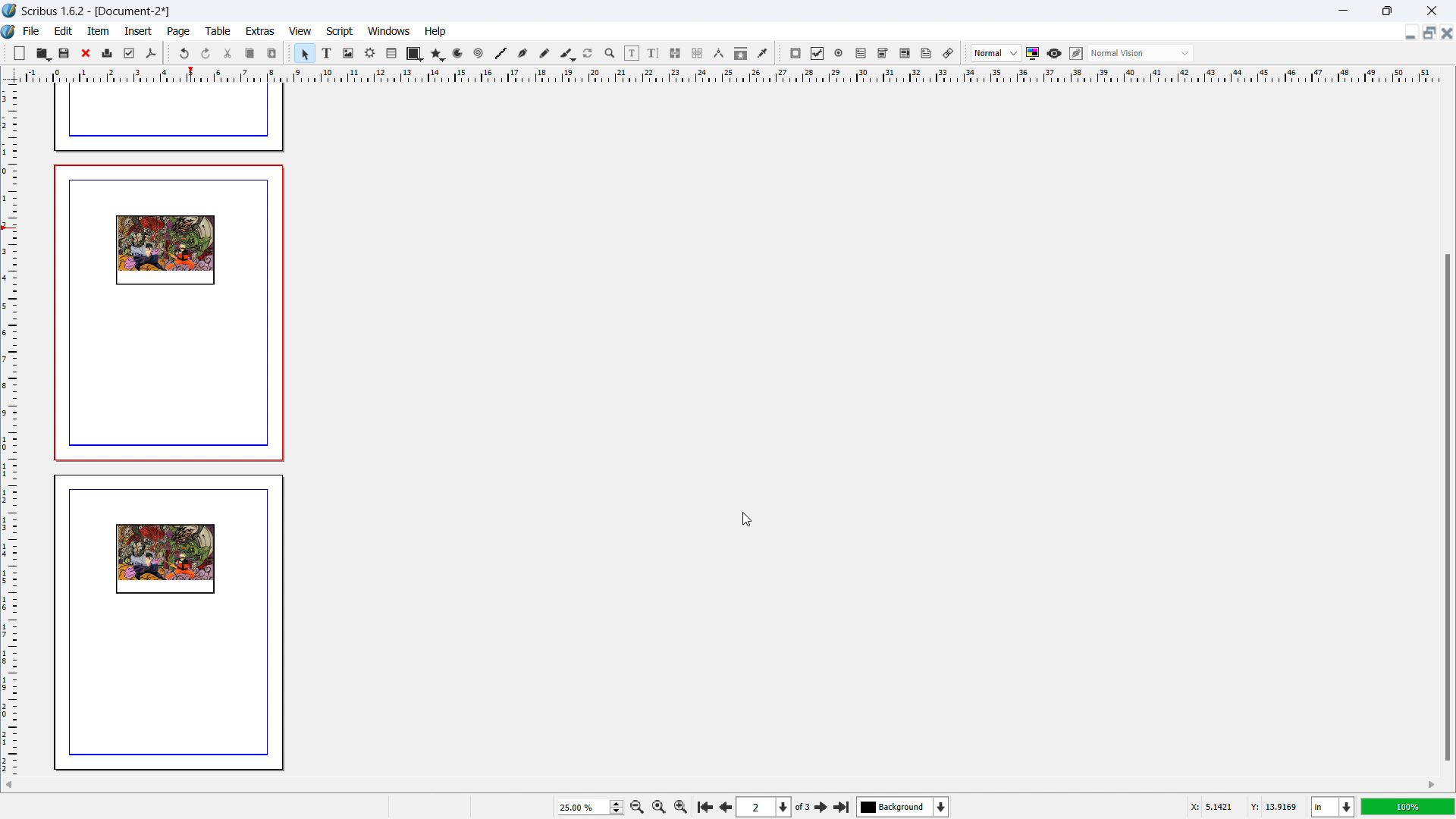  What do you see at coordinates (290, 52) in the screenshot?
I see `move toolbox` at bounding box center [290, 52].